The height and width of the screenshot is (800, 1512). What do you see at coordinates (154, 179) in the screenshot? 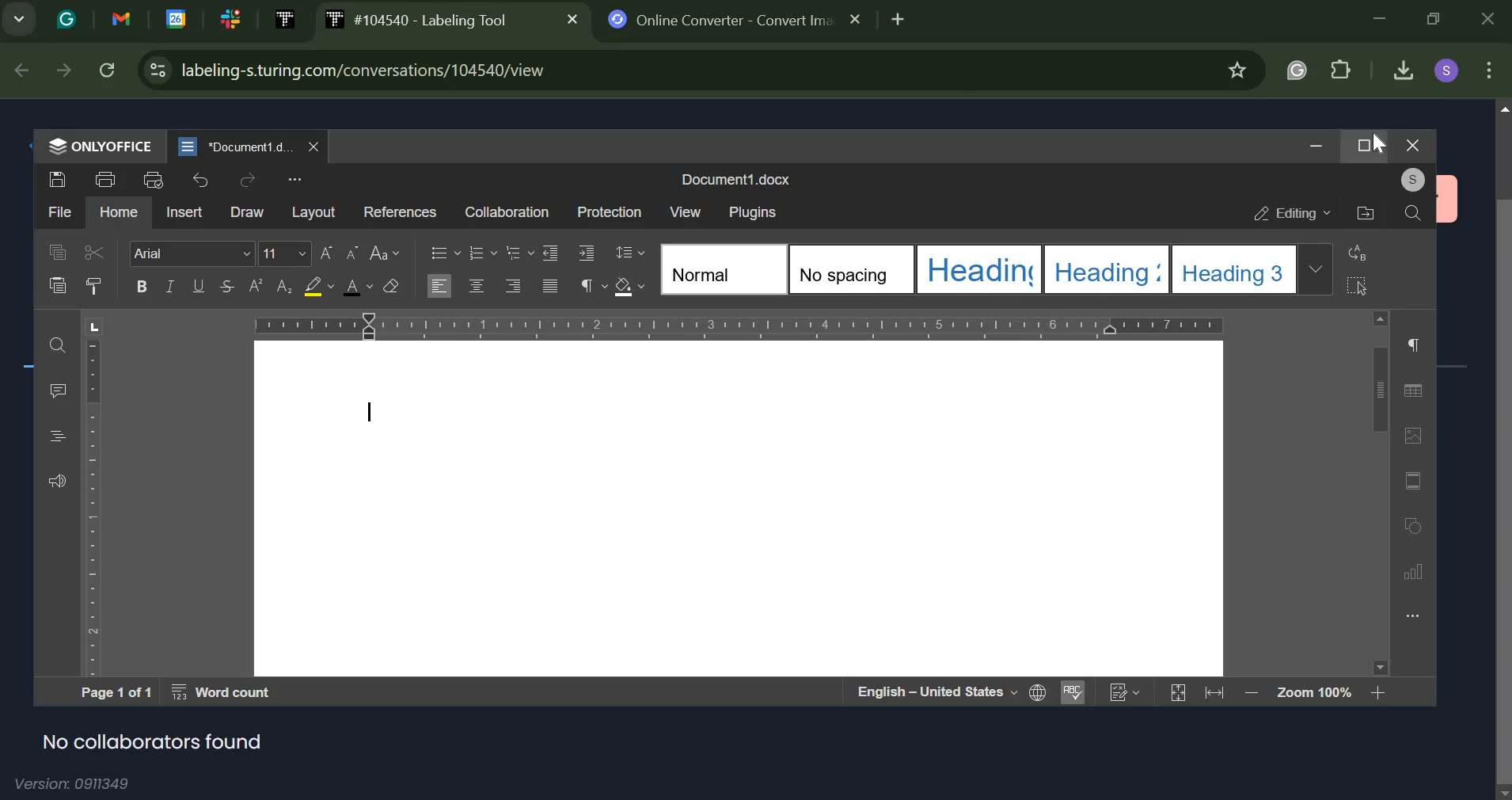
I see `print preview` at bounding box center [154, 179].